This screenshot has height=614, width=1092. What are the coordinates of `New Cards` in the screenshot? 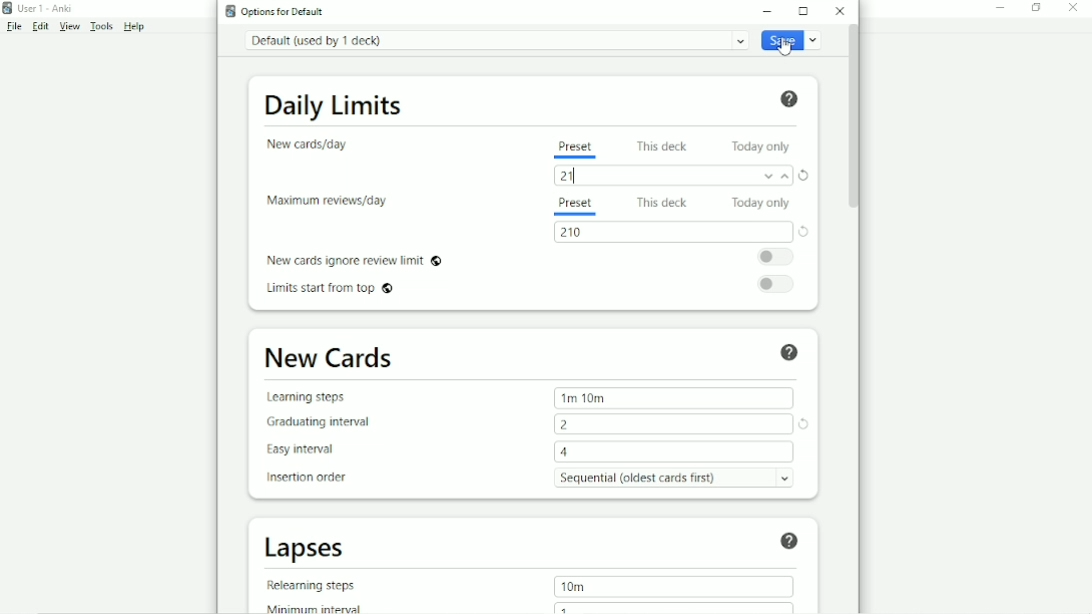 It's located at (332, 358).